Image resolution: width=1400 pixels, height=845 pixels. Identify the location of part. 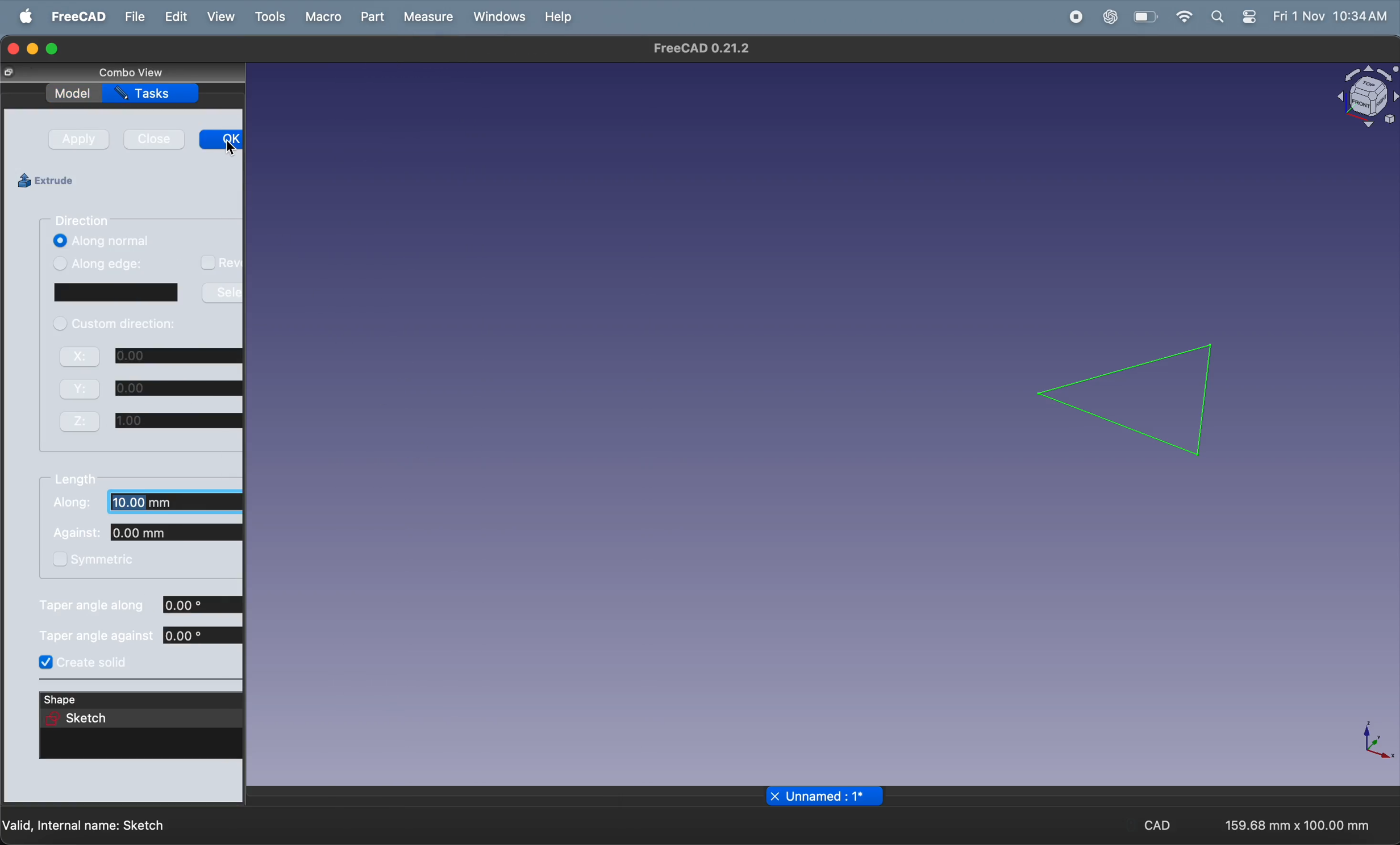
(375, 17).